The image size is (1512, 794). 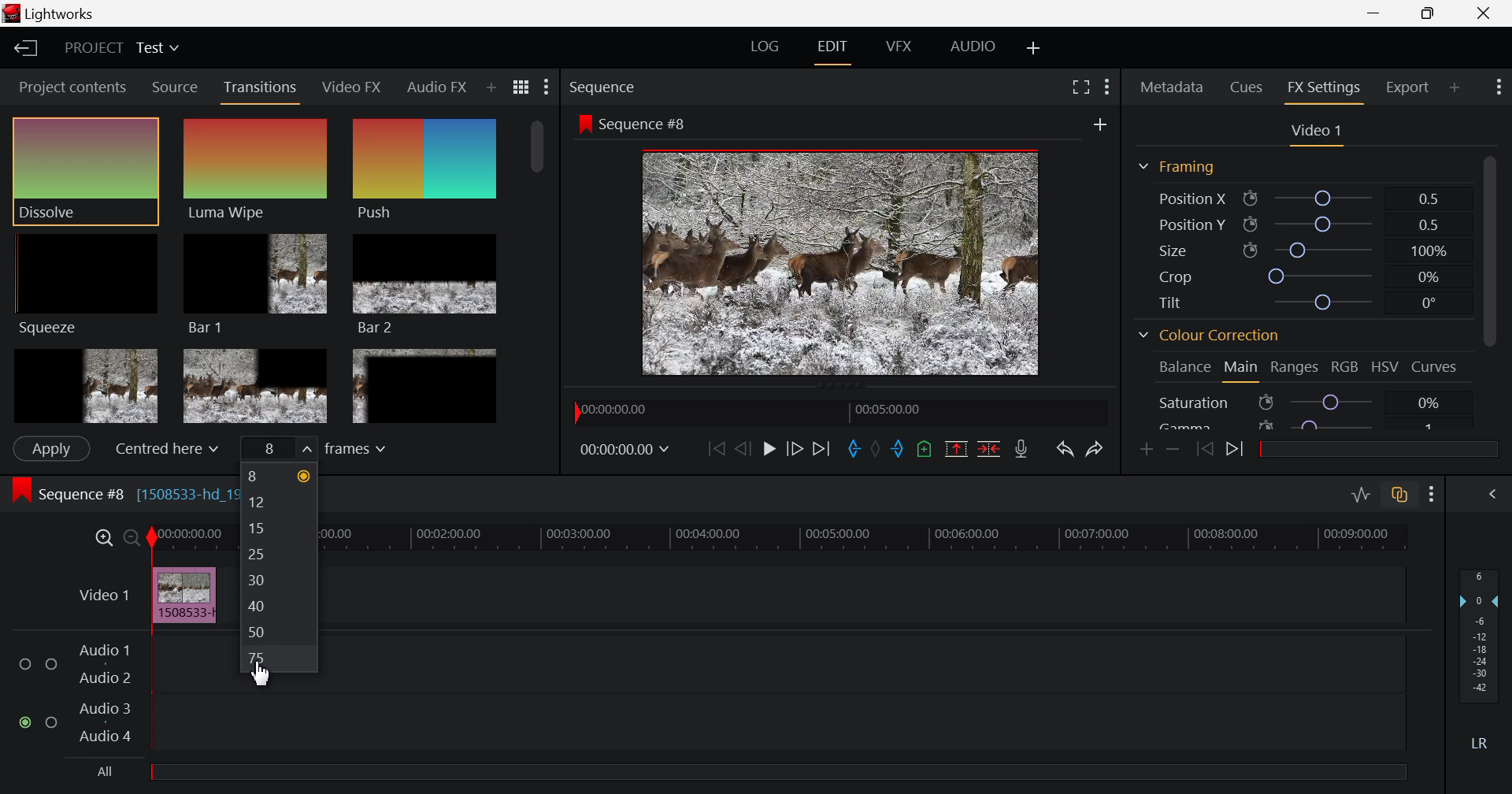 What do you see at coordinates (1021, 451) in the screenshot?
I see `Record Voiceover` at bounding box center [1021, 451].